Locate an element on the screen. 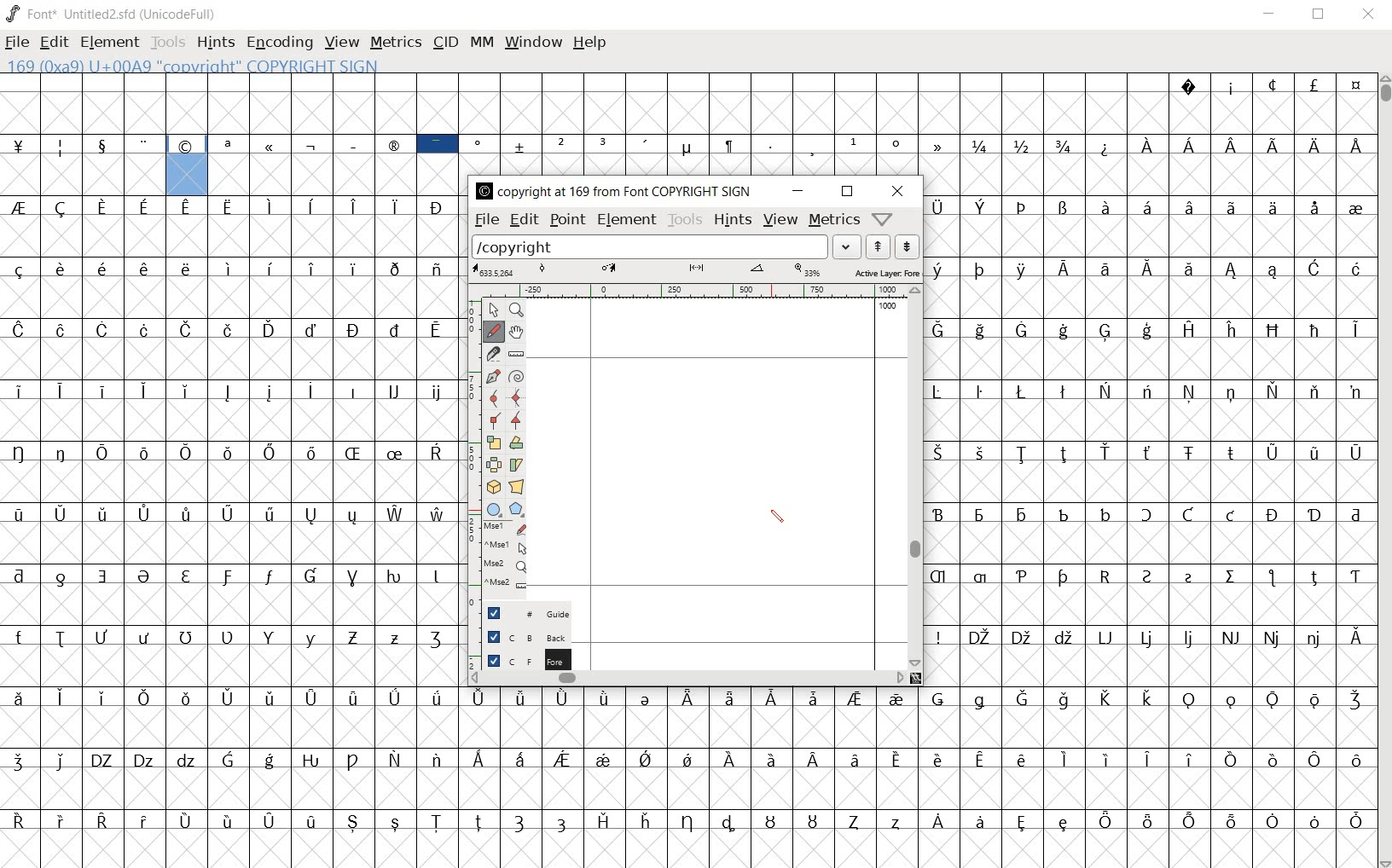 The width and height of the screenshot is (1392, 868). file is located at coordinates (17, 44).